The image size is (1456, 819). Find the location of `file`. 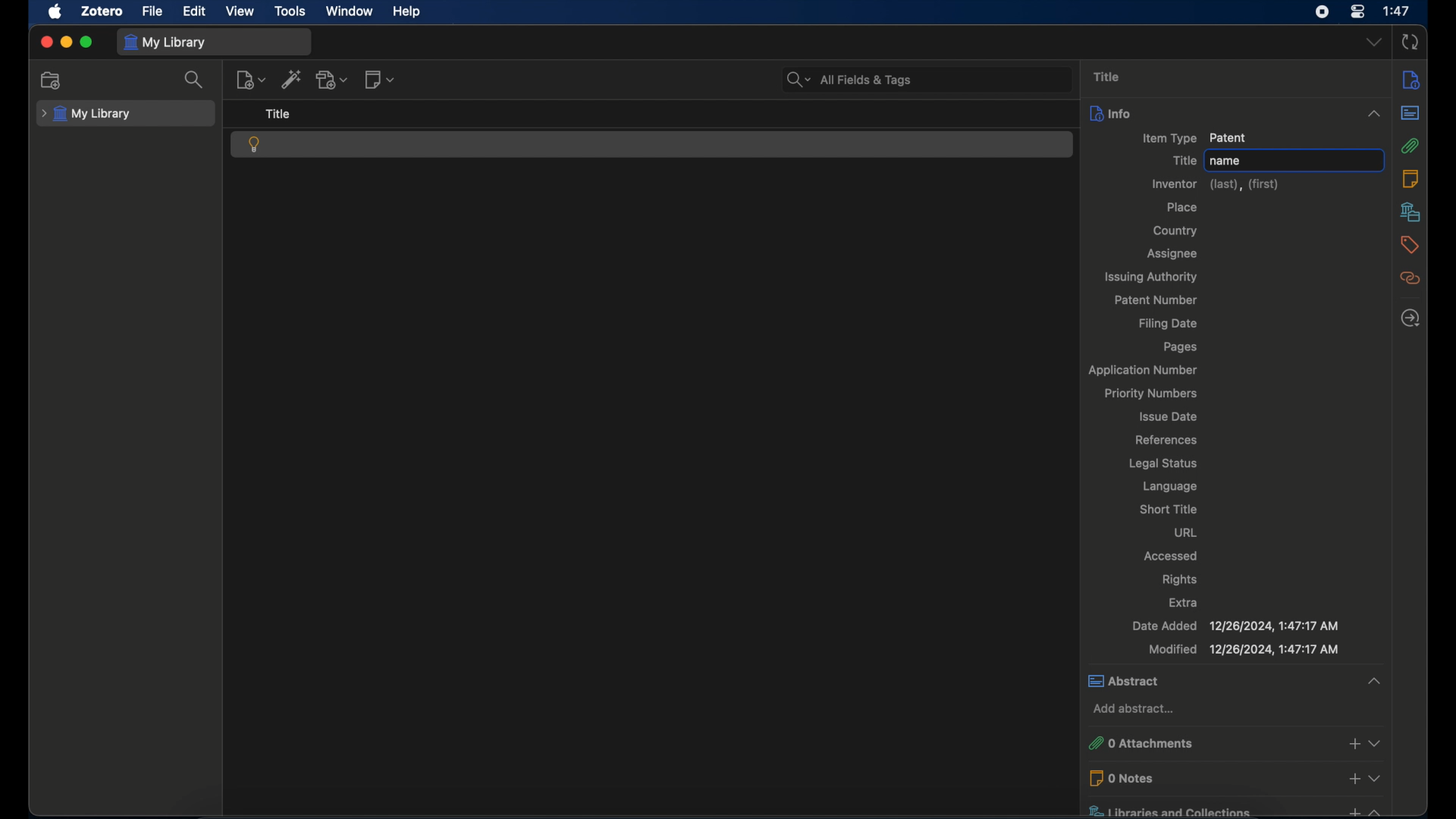

file is located at coordinates (154, 11).